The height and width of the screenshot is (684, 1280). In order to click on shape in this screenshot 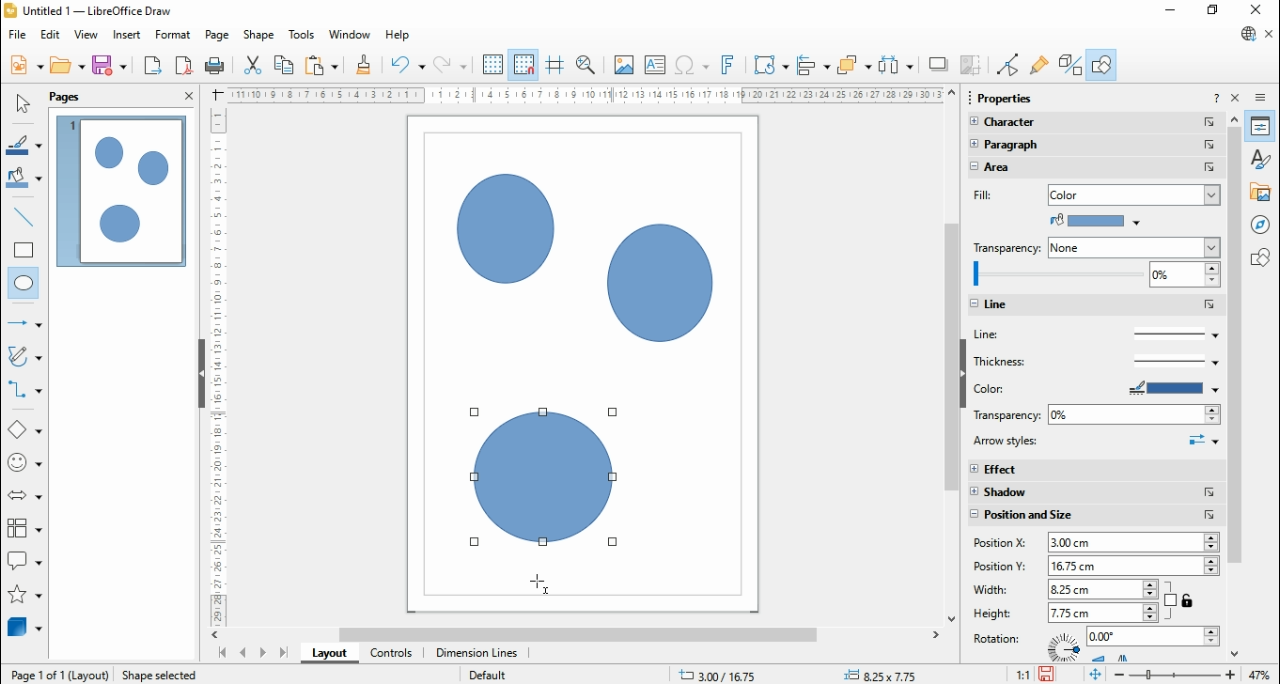, I will do `click(258, 35)`.